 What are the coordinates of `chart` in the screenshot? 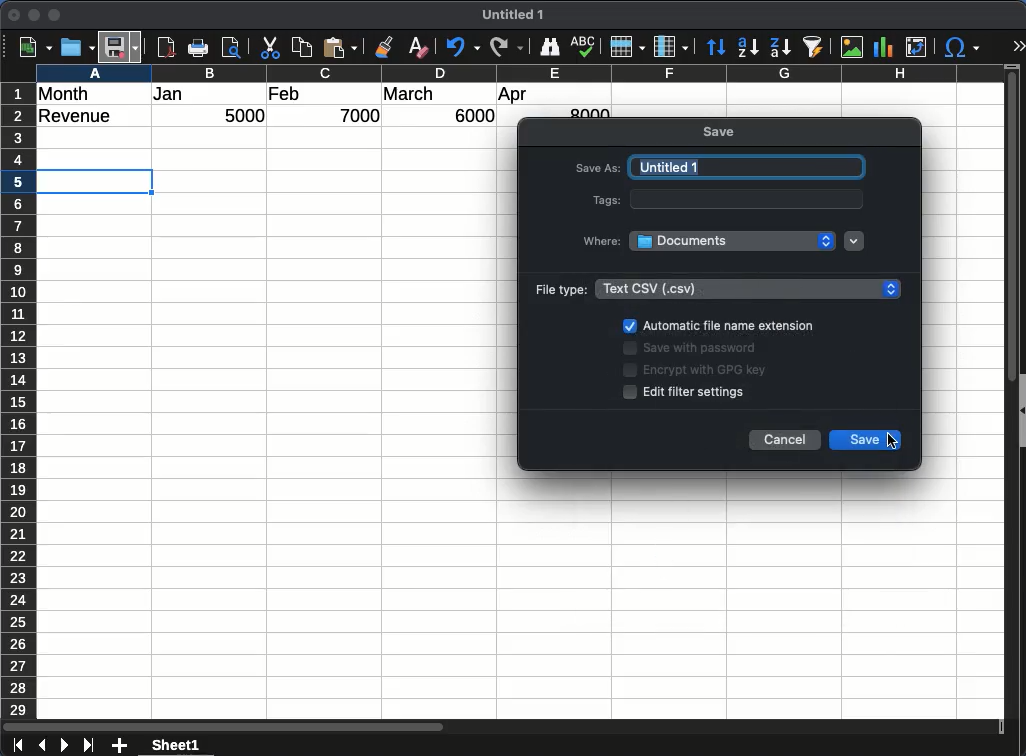 It's located at (881, 46).